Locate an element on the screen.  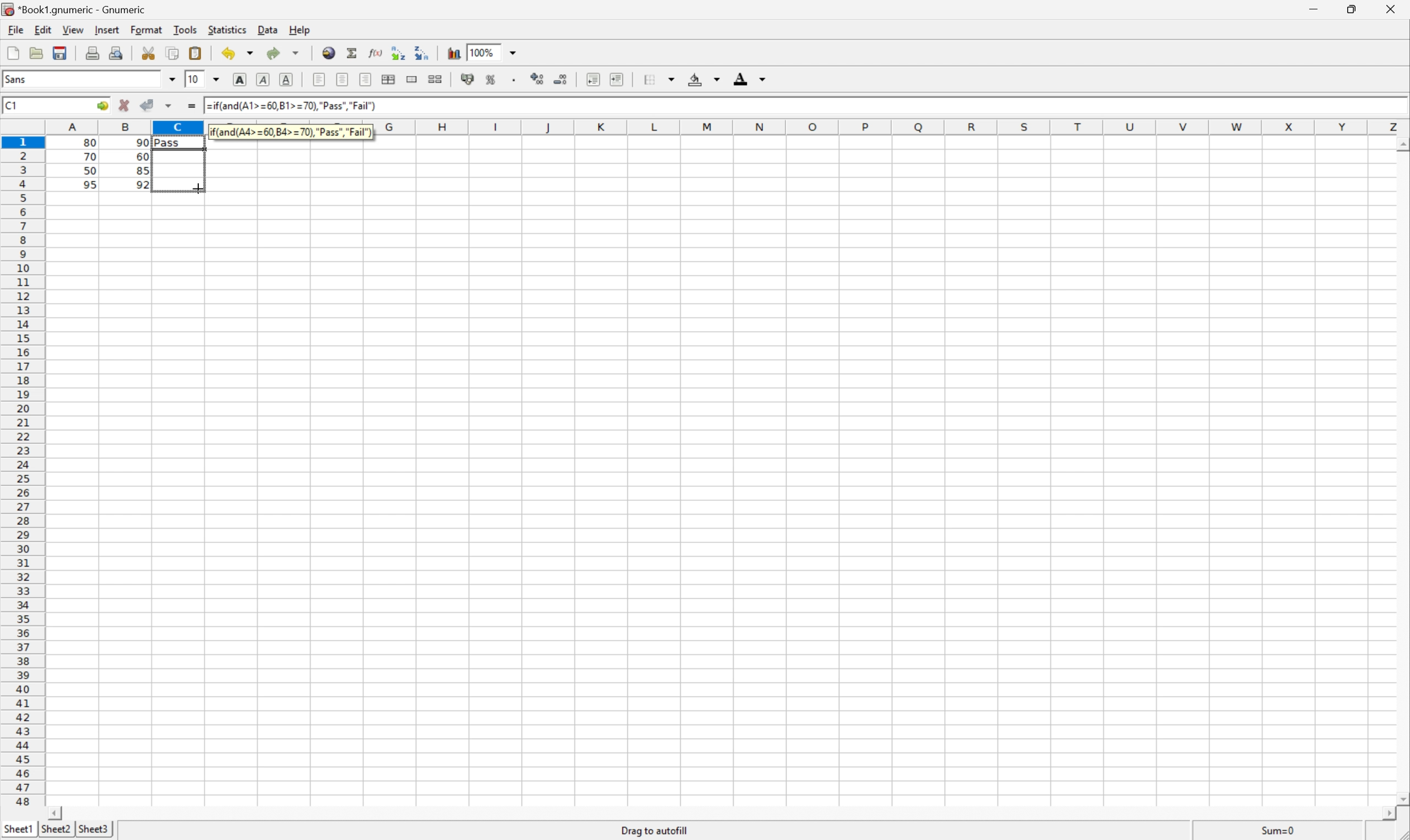
Save the document is located at coordinates (36, 53).